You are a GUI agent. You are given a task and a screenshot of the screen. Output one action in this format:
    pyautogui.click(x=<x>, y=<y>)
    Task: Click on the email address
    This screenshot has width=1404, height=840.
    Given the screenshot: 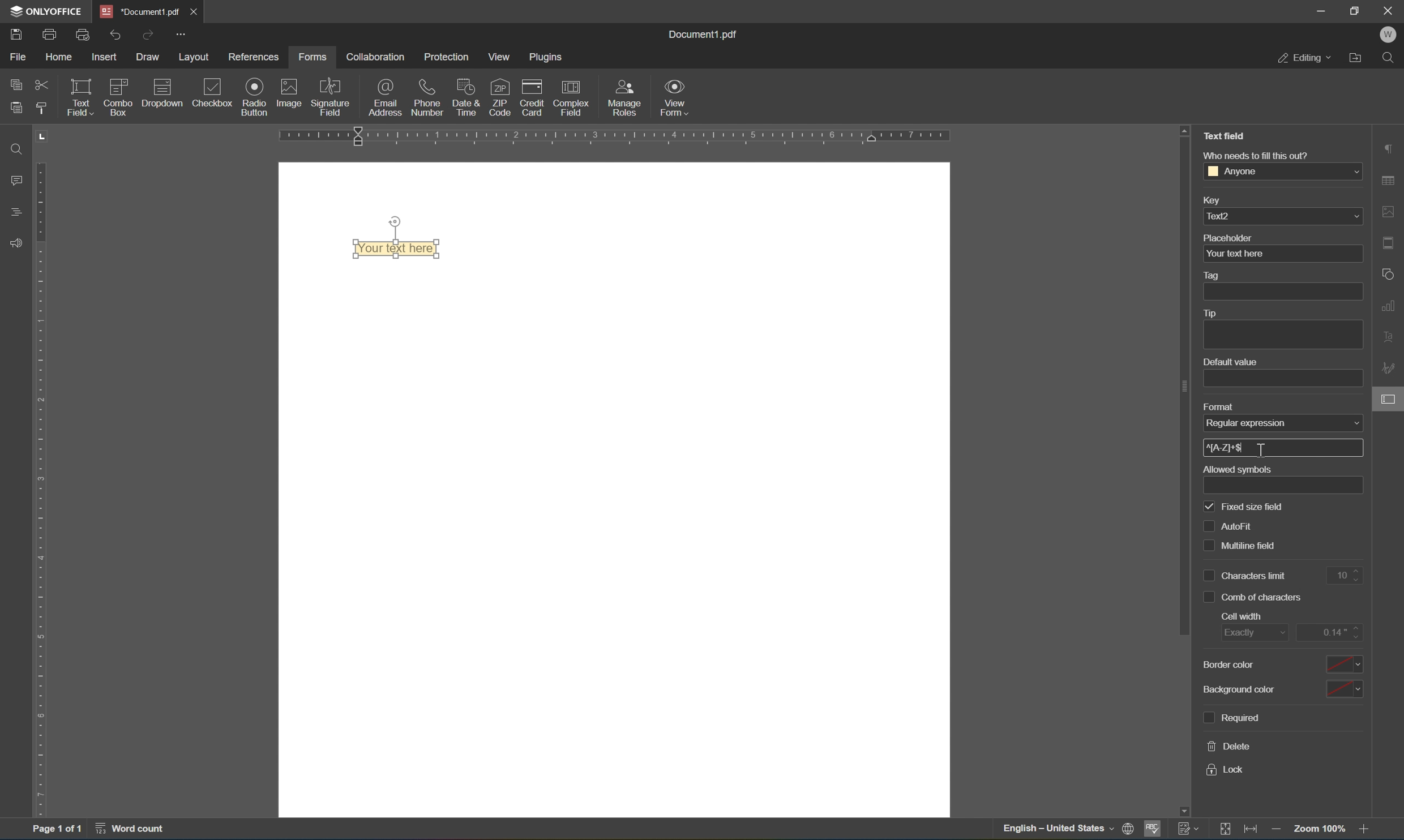 What is the action you would take?
    pyautogui.click(x=384, y=98)
    